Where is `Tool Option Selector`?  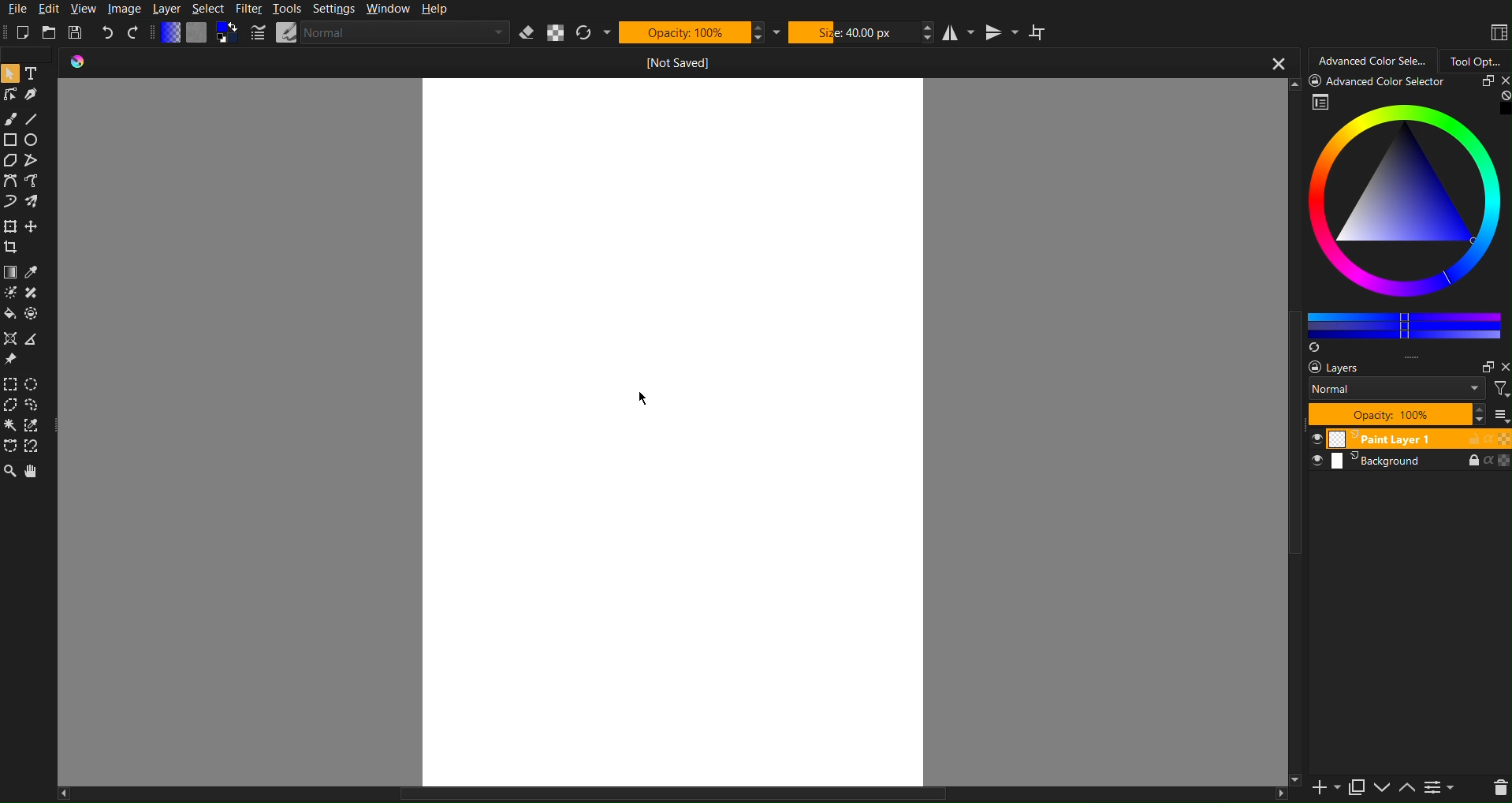
Tool Option Selector is located at coordinates (1482, 58).